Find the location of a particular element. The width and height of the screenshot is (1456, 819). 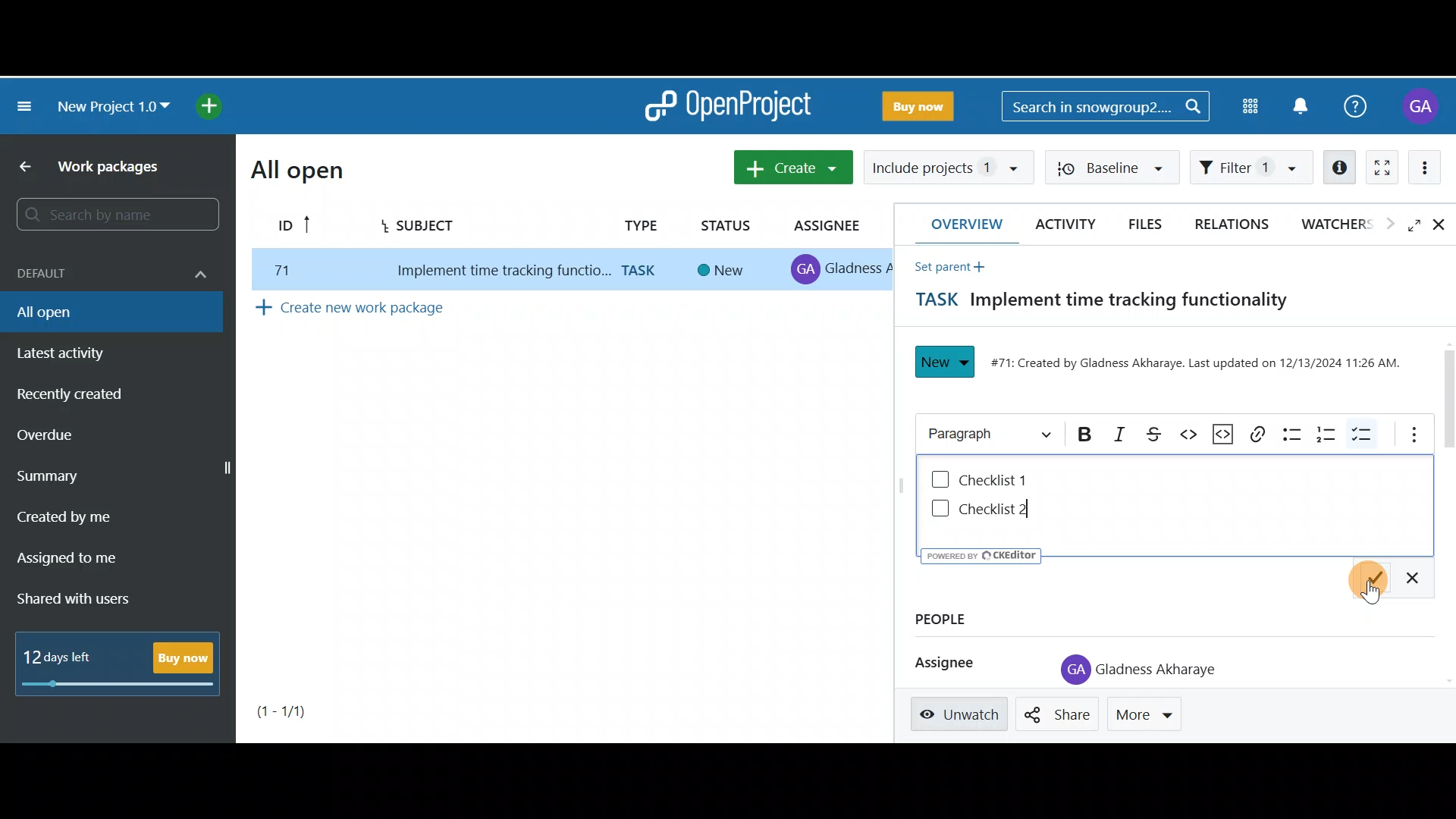

Italic is located at coordinates (1119, 433).